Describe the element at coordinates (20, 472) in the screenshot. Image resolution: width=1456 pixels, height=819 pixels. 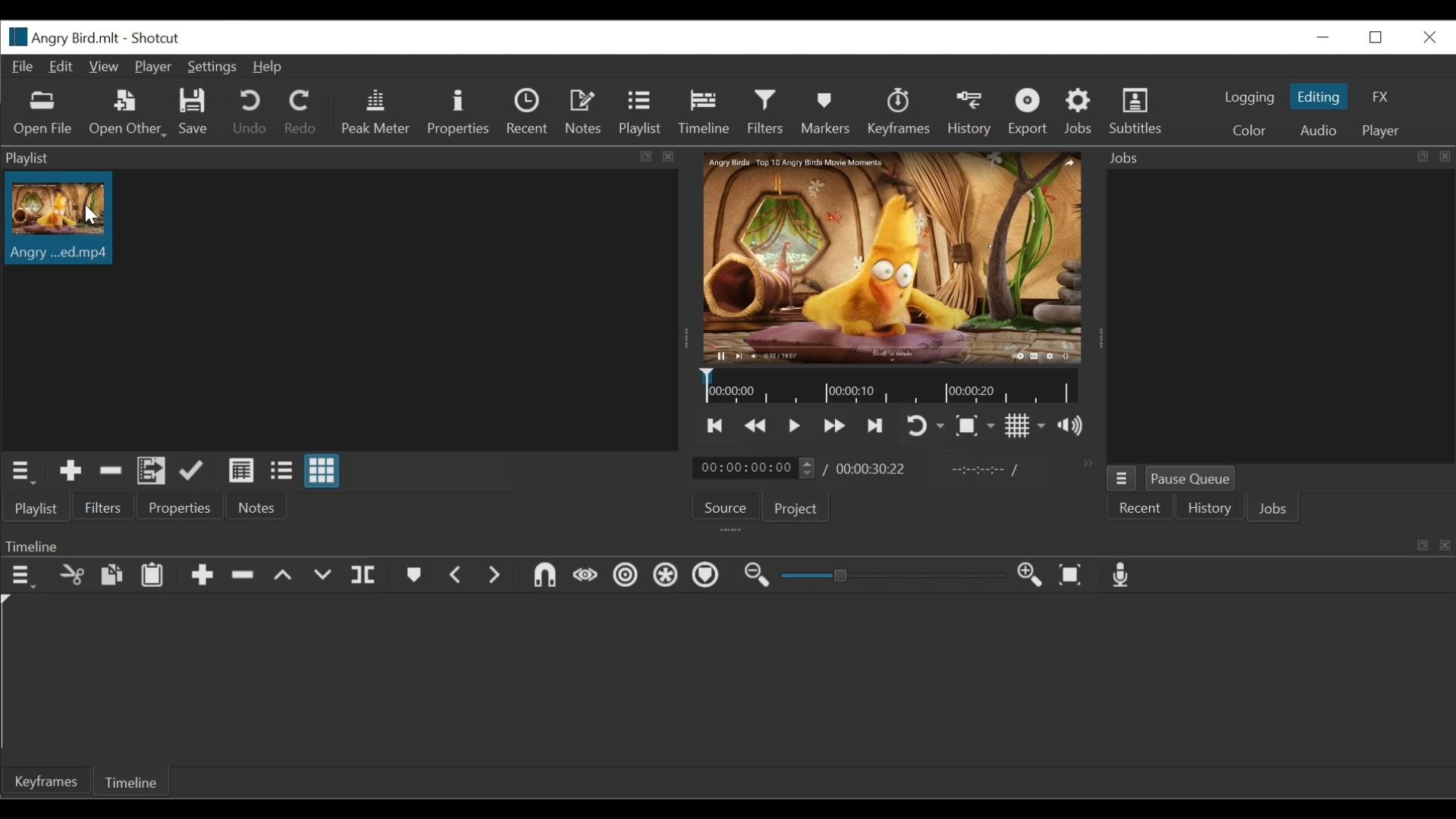
I see `Playlist menu` at that location.